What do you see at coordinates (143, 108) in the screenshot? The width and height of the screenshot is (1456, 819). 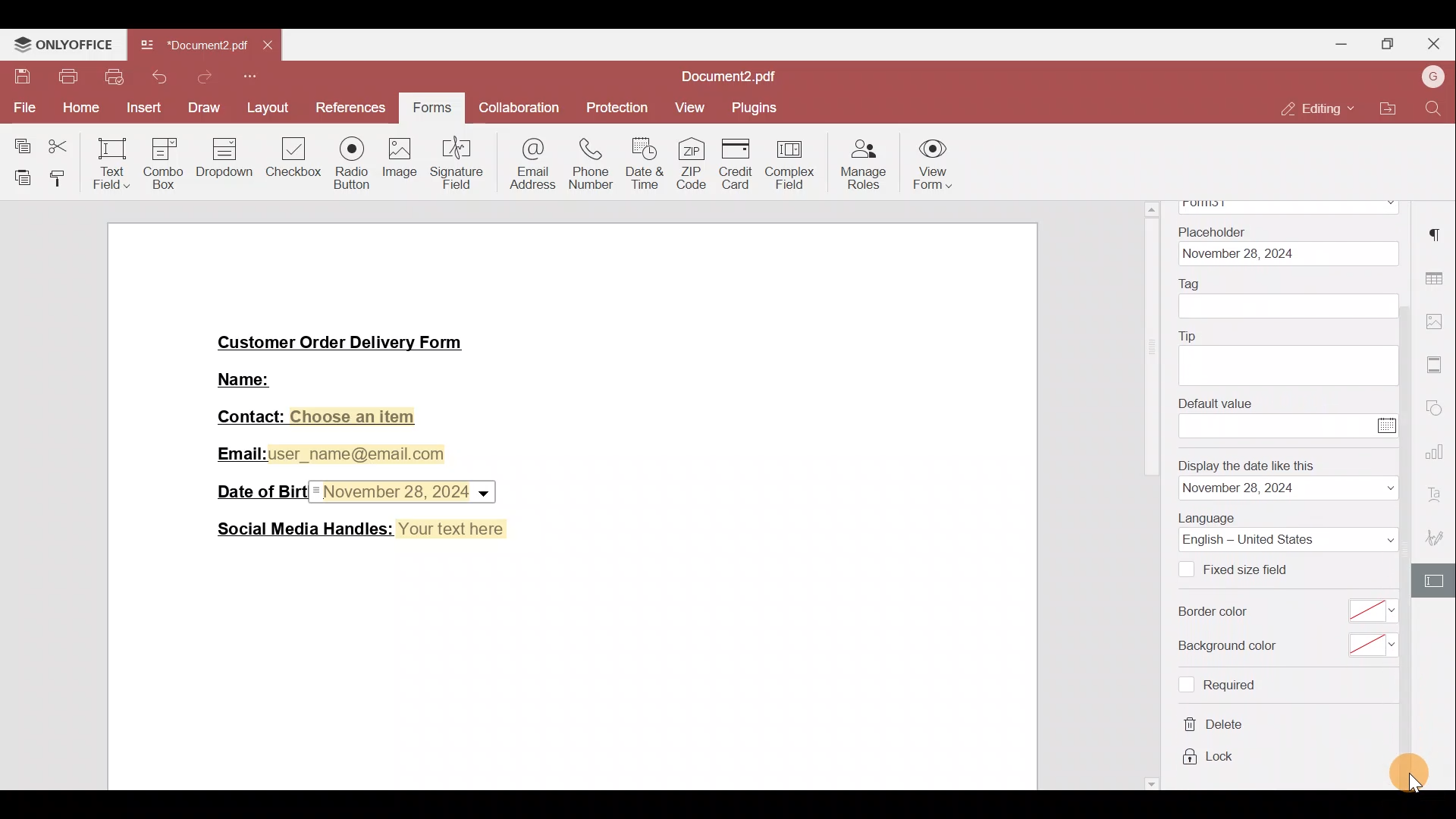 I see `Insert` at bounding box center [143, 108].